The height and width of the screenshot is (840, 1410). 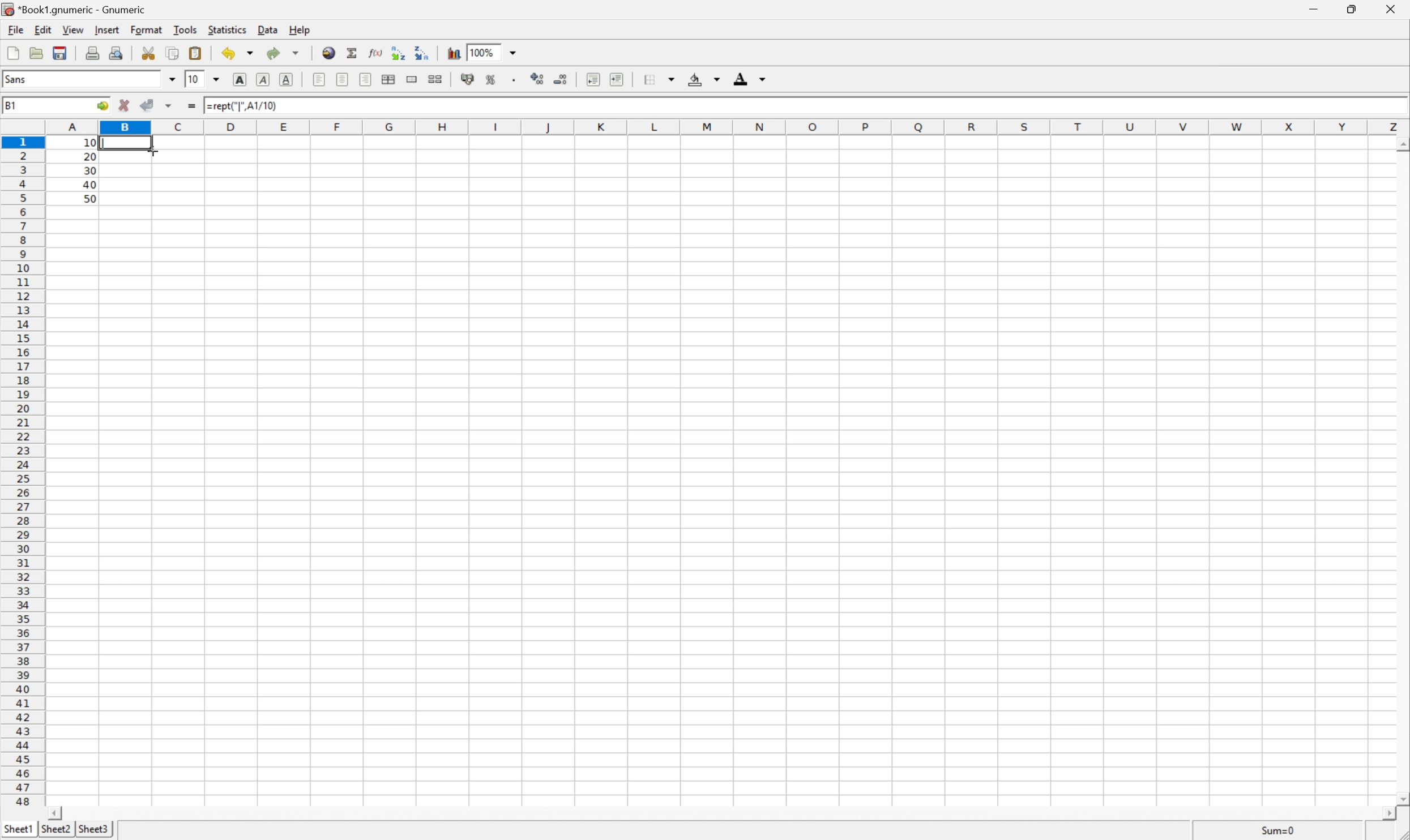 What do you see at coordinates (174, 54) in the screenshot?
I see `Copy selection` at bounding box center [174, 54].